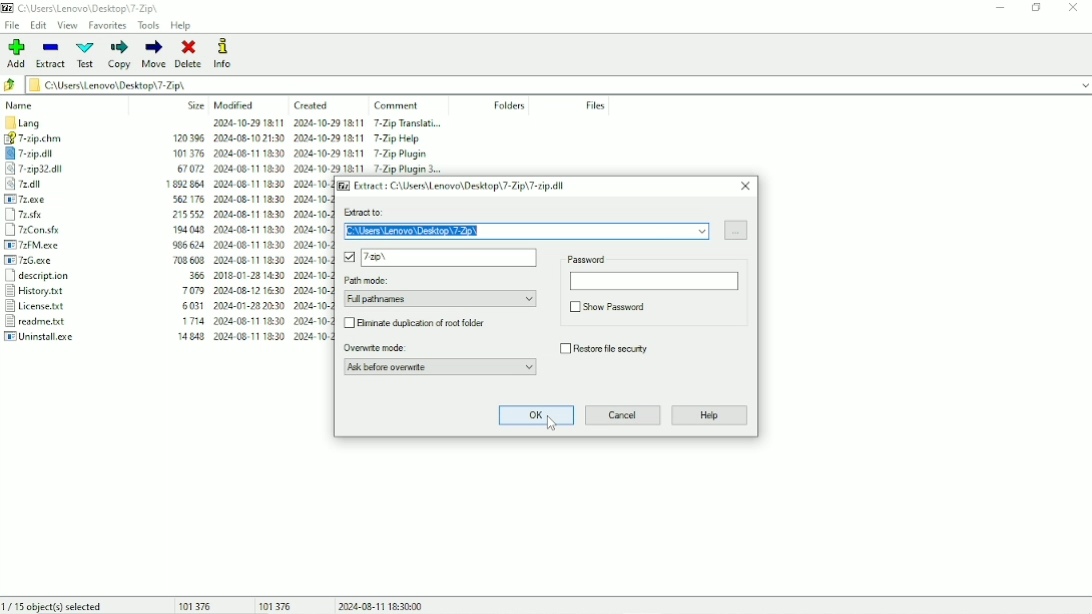 This screenshot has height=614, width=1092. I want to click on View, so click(67, 25).